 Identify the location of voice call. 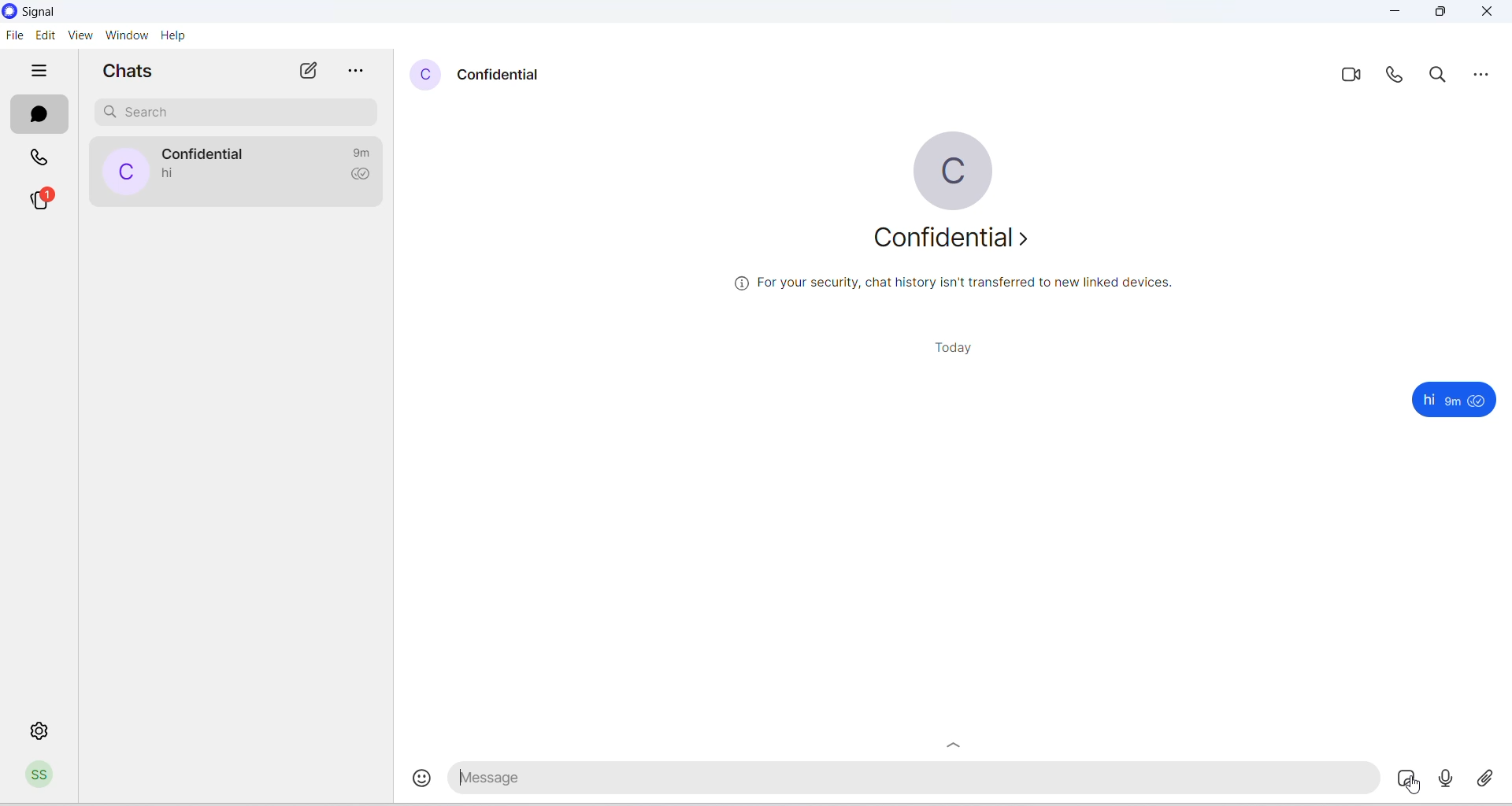
(1395, 77).